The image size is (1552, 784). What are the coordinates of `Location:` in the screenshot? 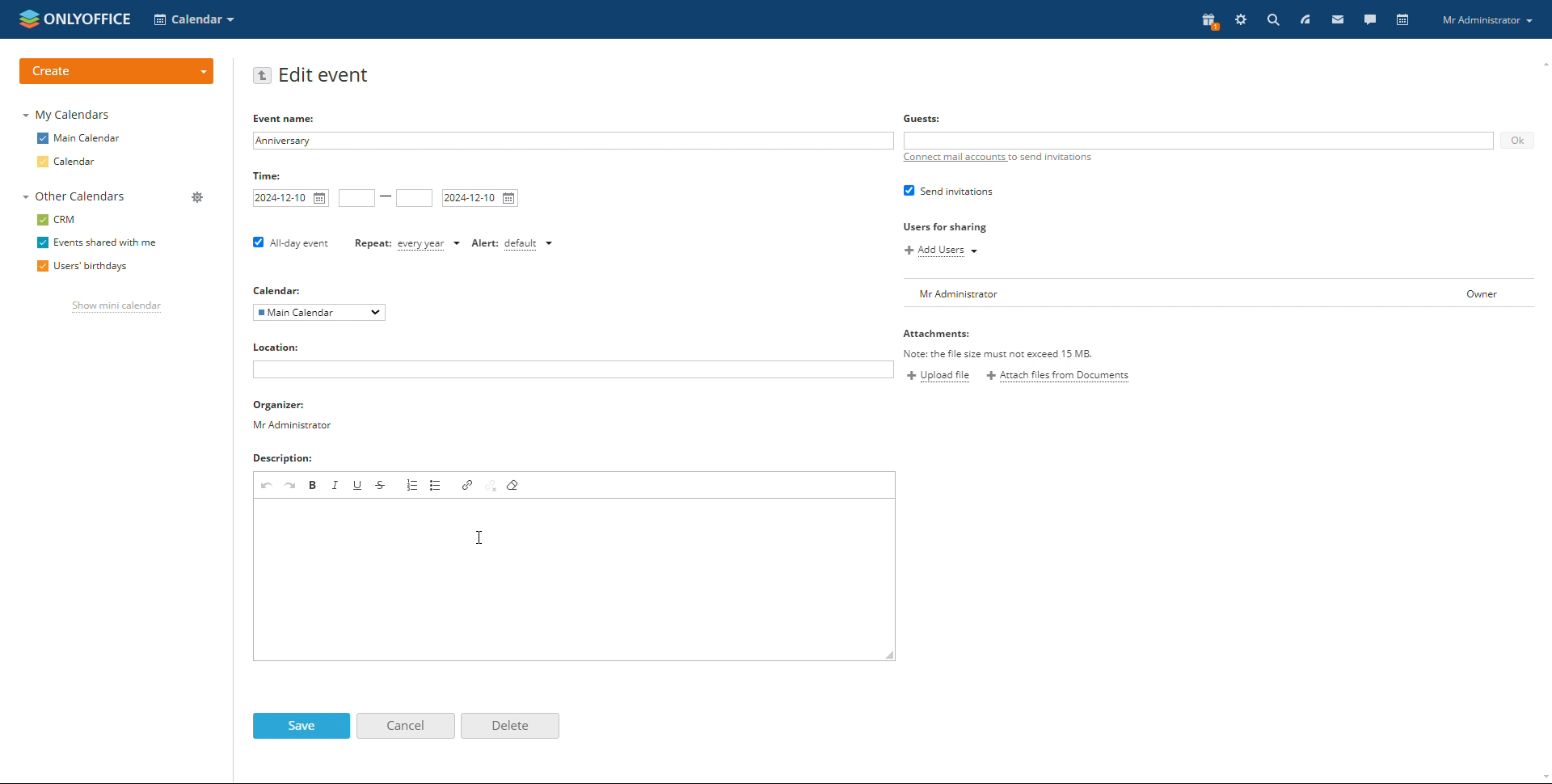 It's located at (278, 346).